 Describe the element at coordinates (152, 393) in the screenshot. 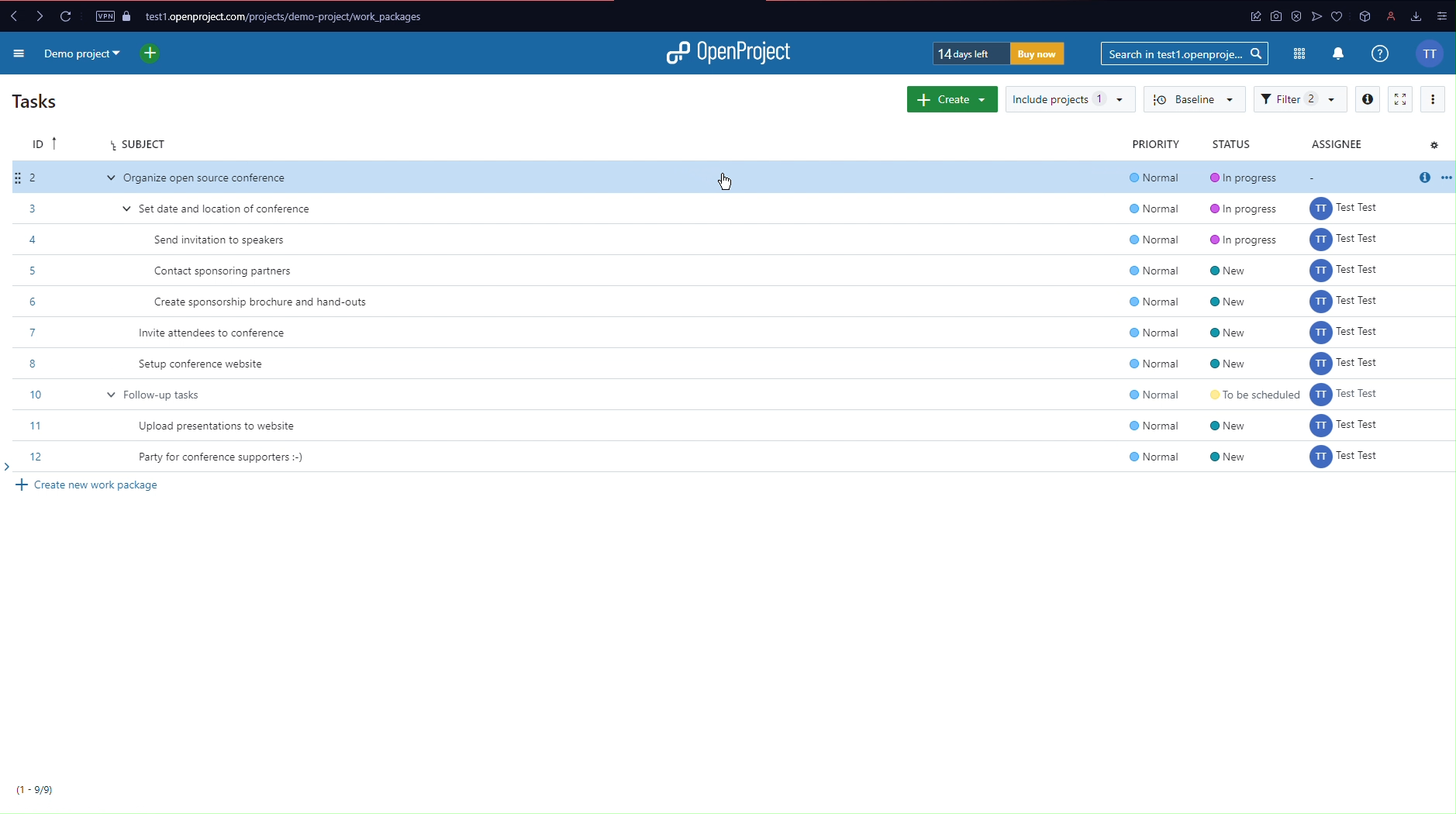

I see `v Follow-up tasks` at that location.